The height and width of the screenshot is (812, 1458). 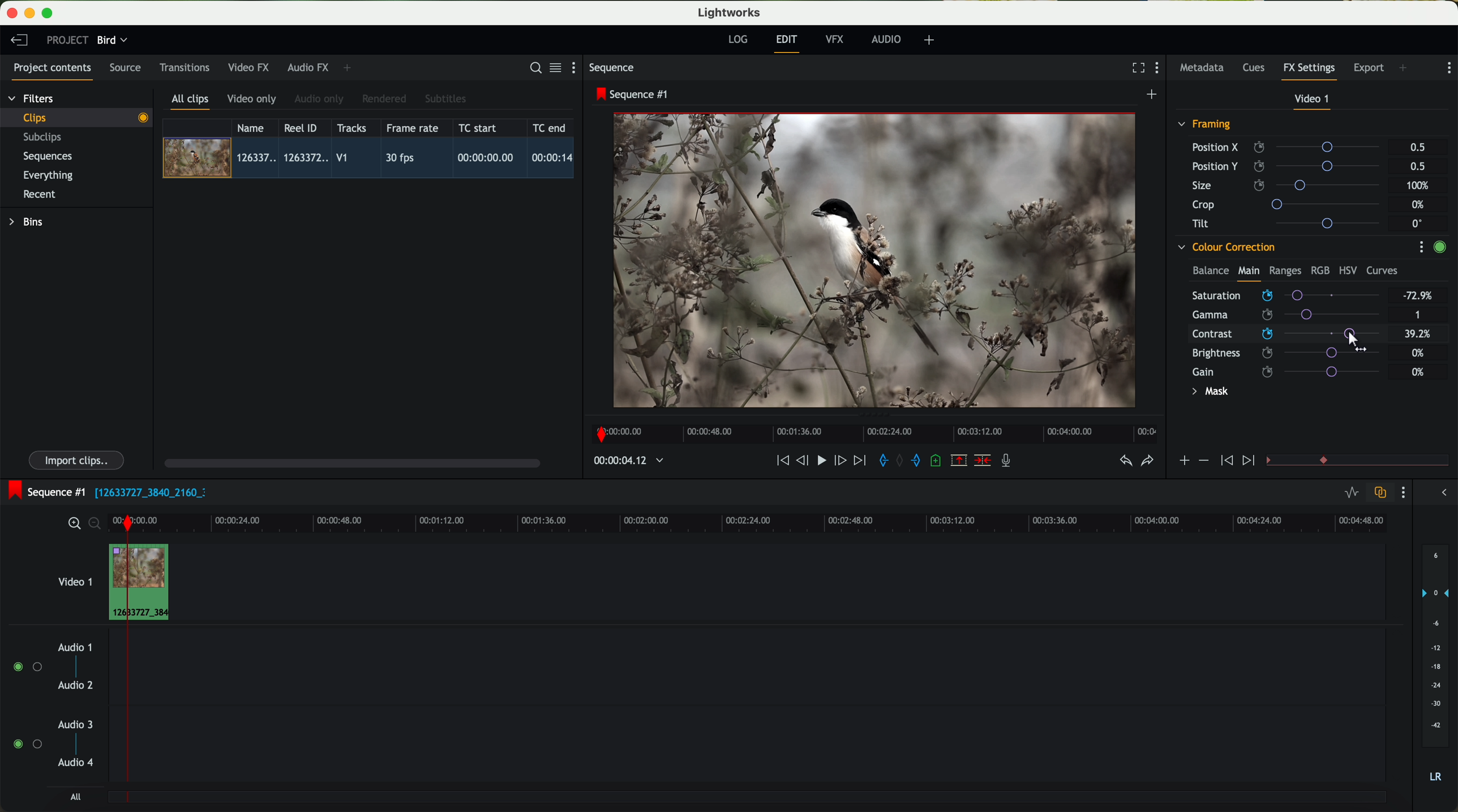 What do you see at coordinates (554, 67) in the screenshot?
I see `toggle between list and title view` at bounding box center [554, 67].